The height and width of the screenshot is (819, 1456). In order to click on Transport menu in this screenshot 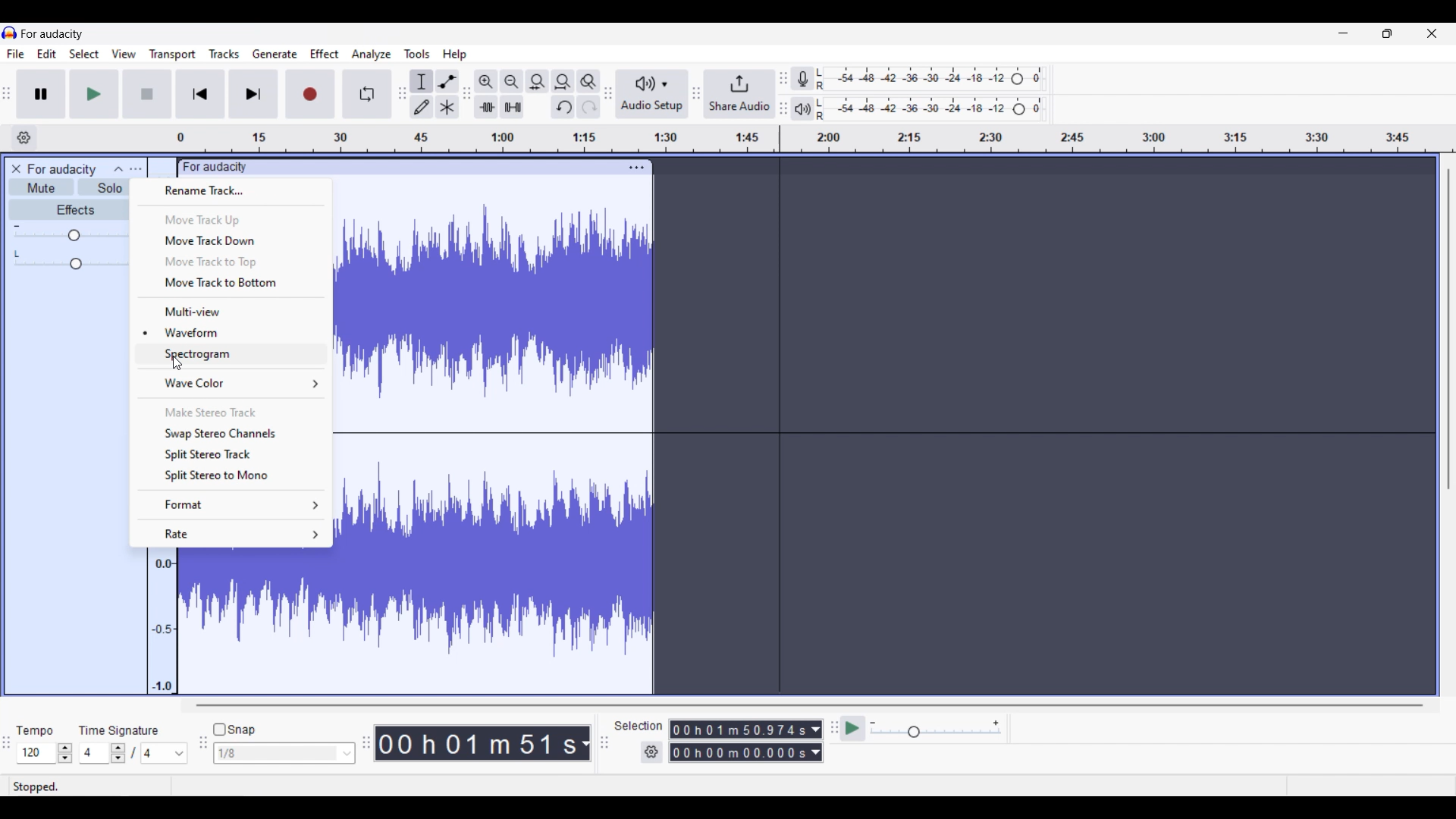, I will do `click(171, 54)`.